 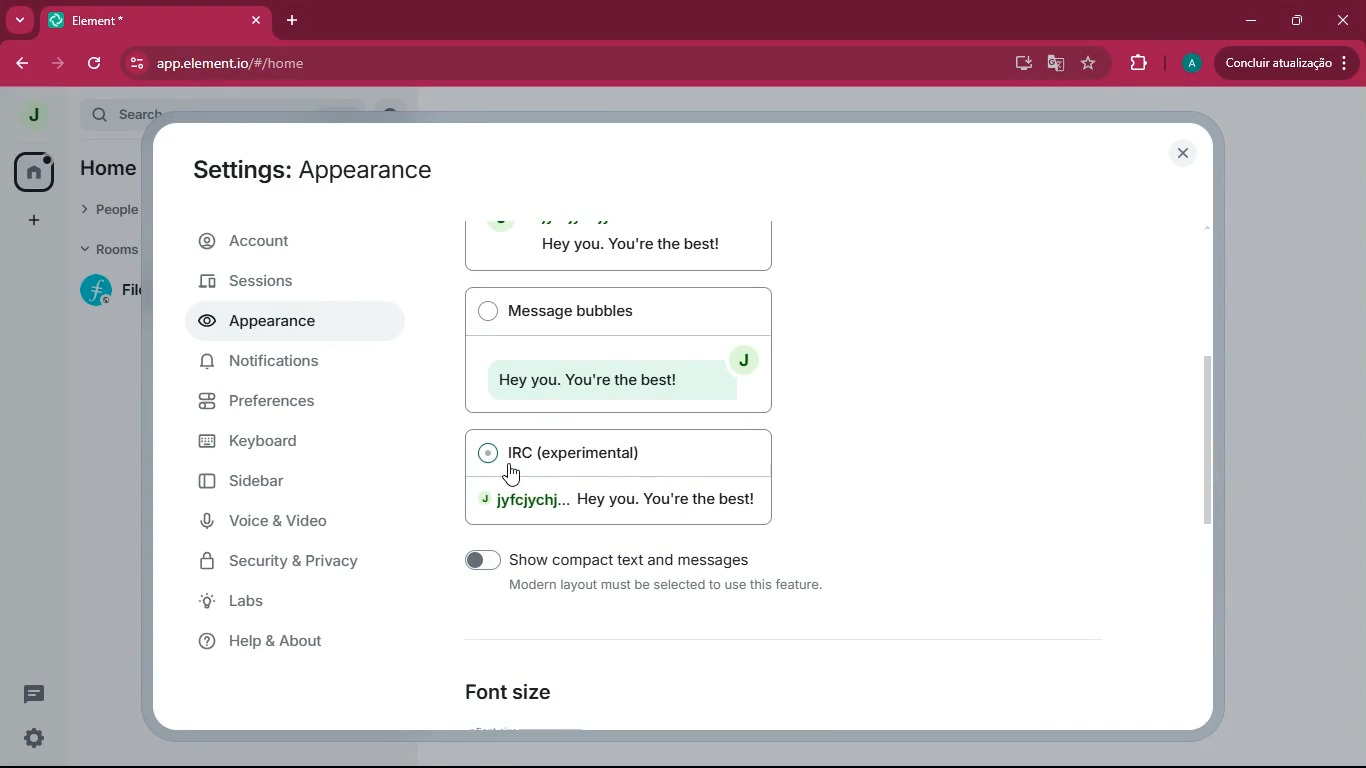 What do you see at coordinates (1188, 64) in the screenshot?
I see `profile` at bounding box center [1188, 64].